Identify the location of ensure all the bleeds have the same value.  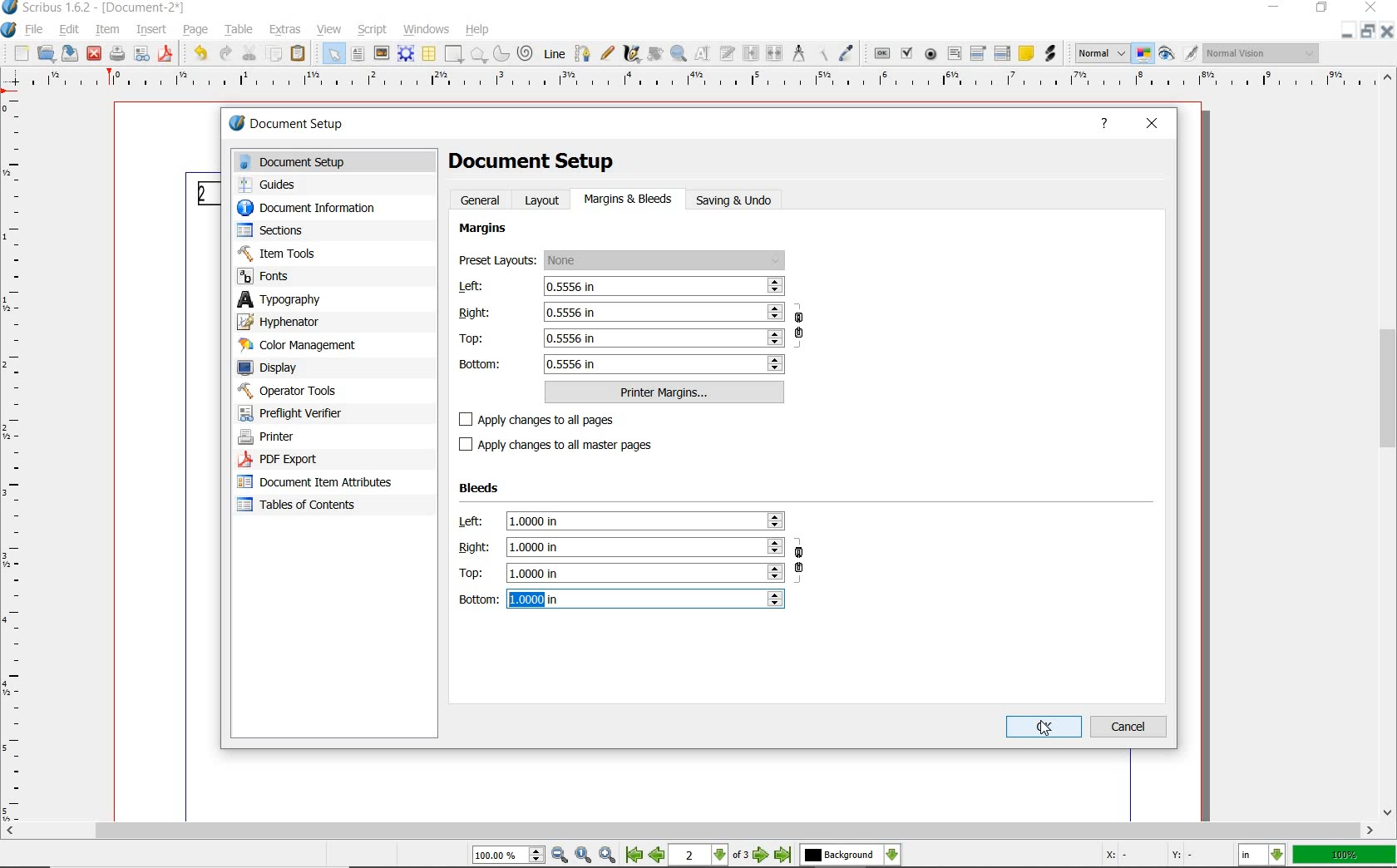
(800, 565).